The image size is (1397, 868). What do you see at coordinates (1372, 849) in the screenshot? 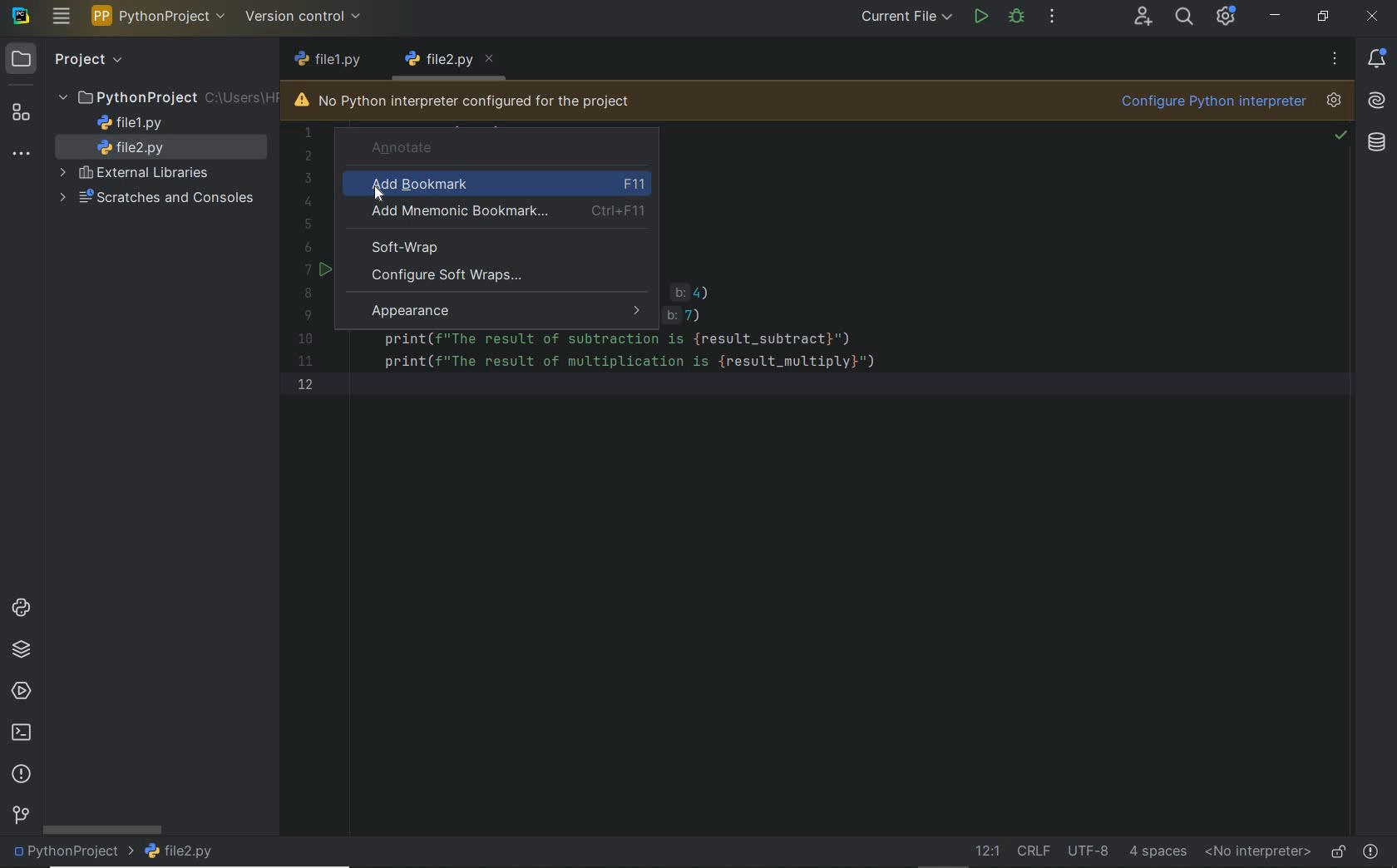
I see `problems` at bounding box center [1372, 849].